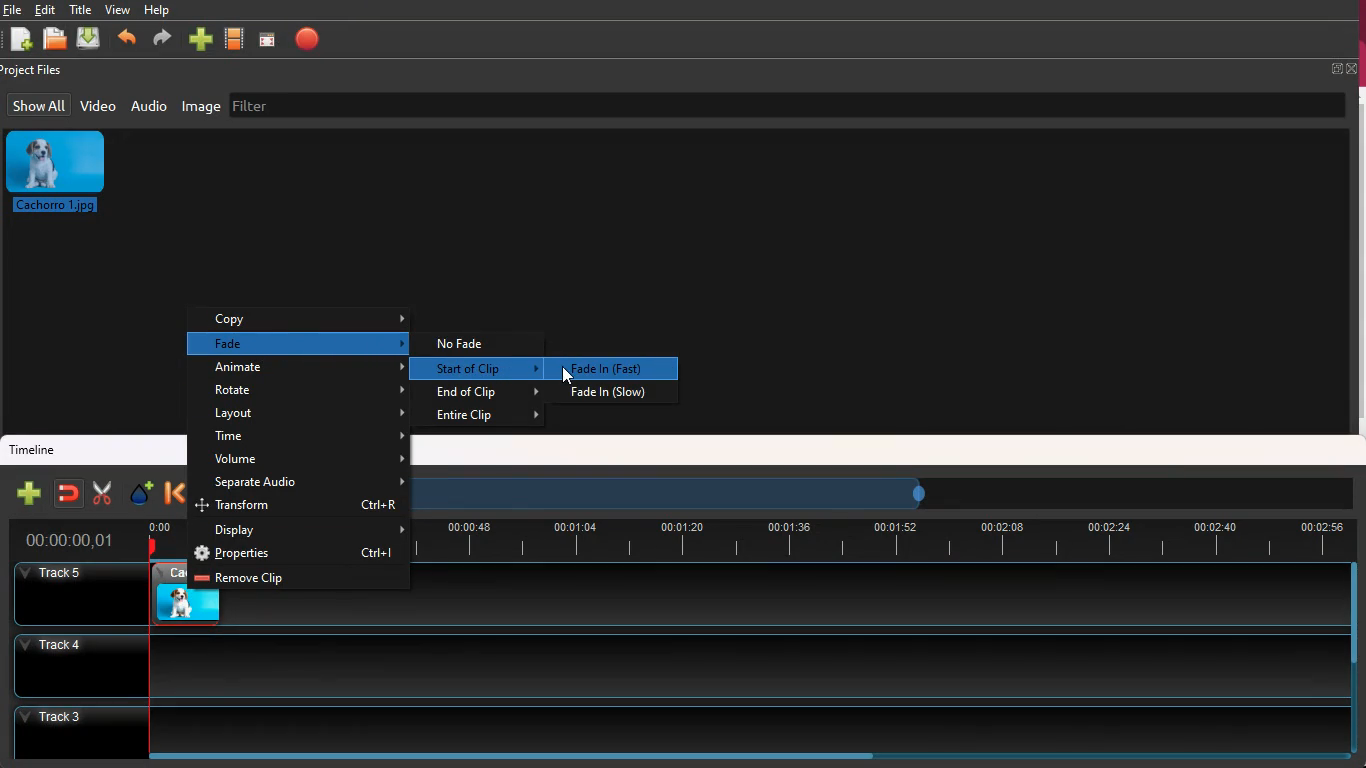 The image size is (1366, 768). I want to click on fade in fast, so click(610, 369).